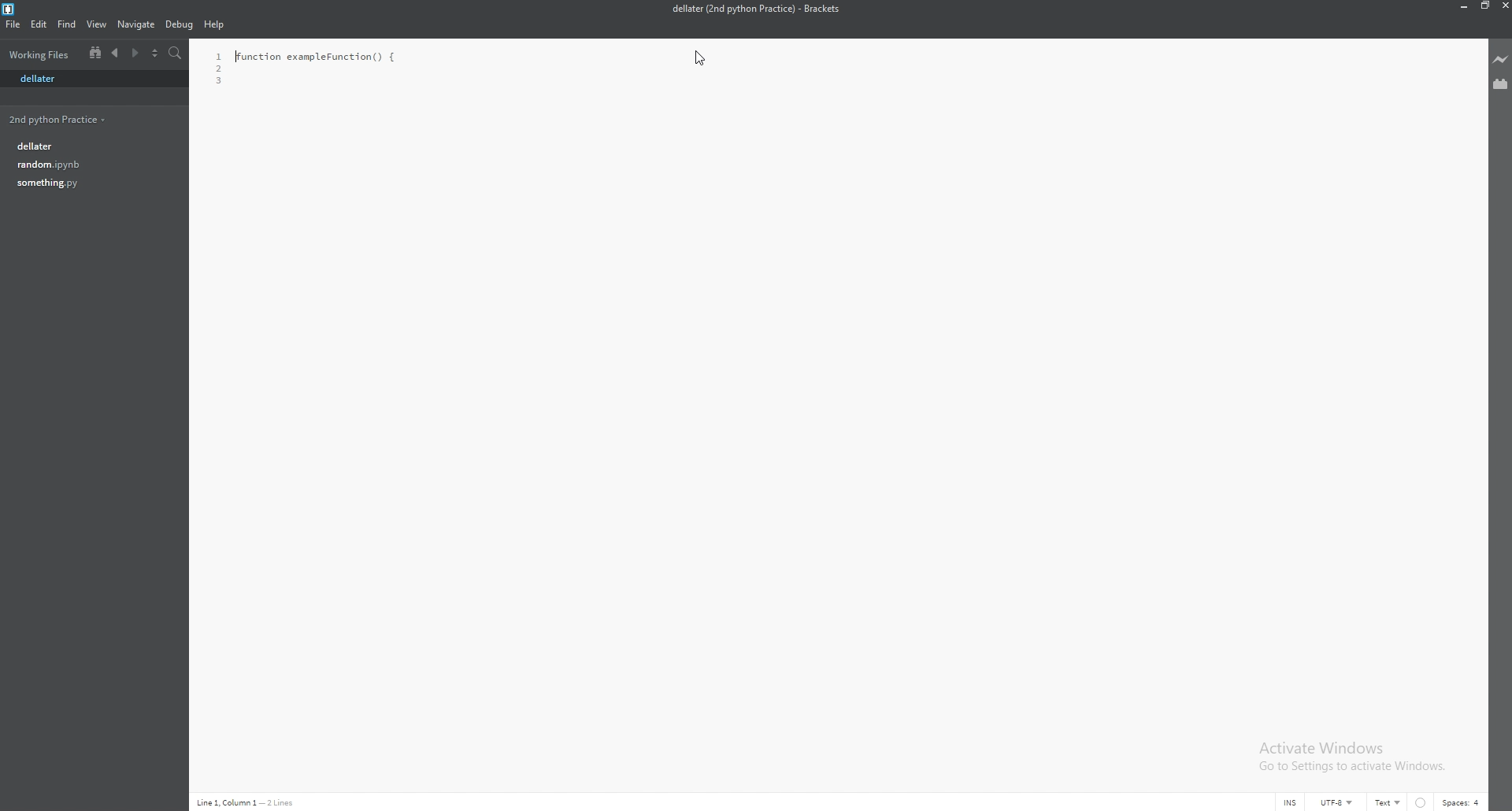  Describe the element at coordinates (251, 802) in the screenshot. I see `line 1, column 1 - 2 lines` at that location.